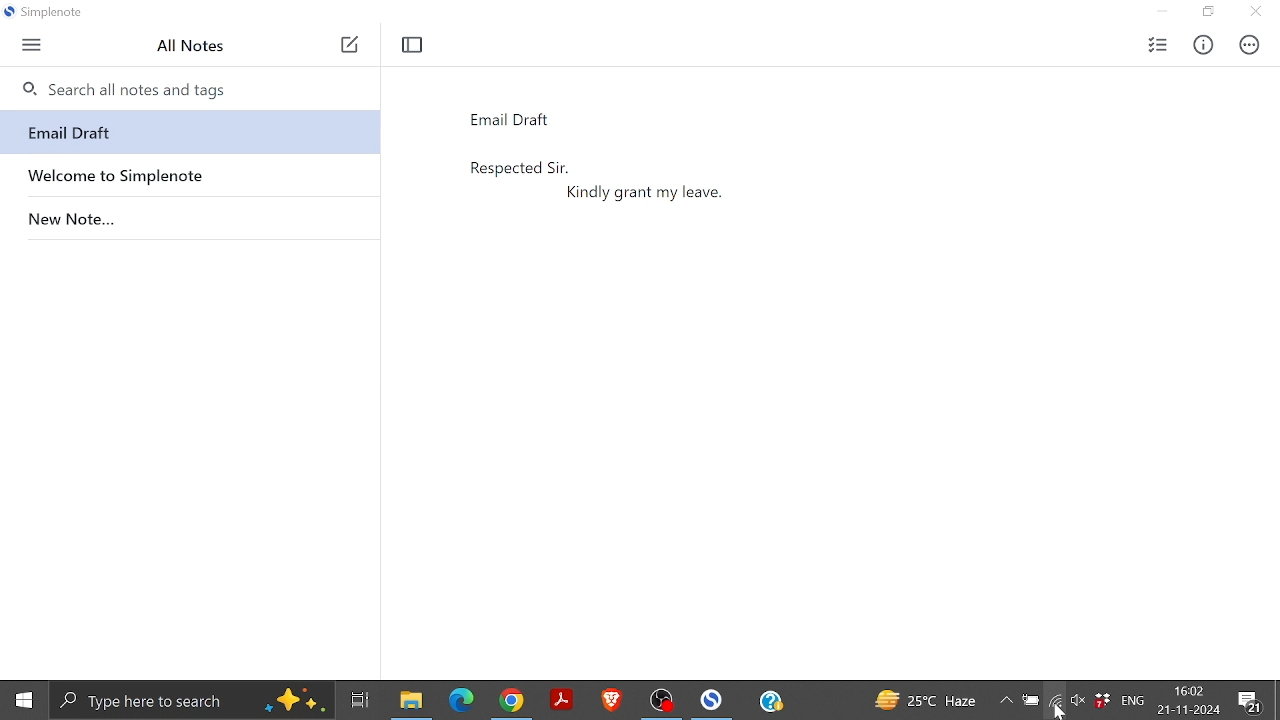 The width and height of the screenshot is (1280, 720). I want to click on Files, so click(409, 700).